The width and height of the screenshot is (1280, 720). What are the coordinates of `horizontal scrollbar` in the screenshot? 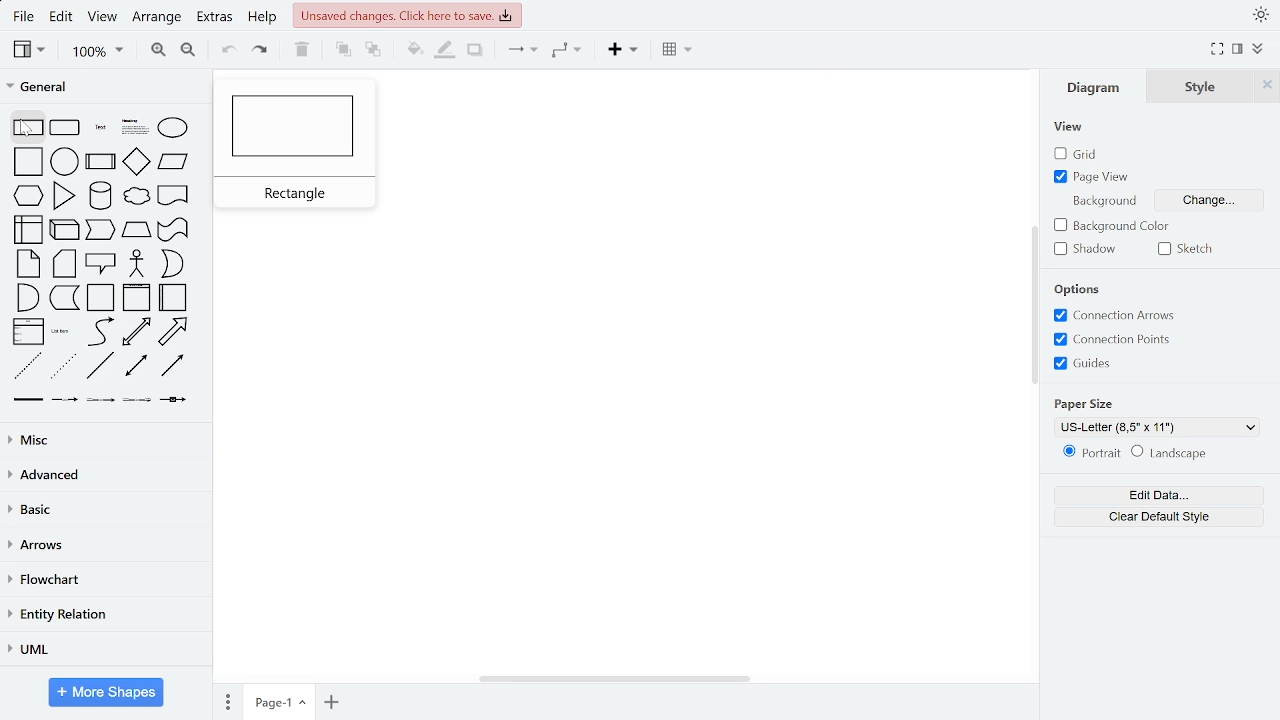 It's located at (616, 679).